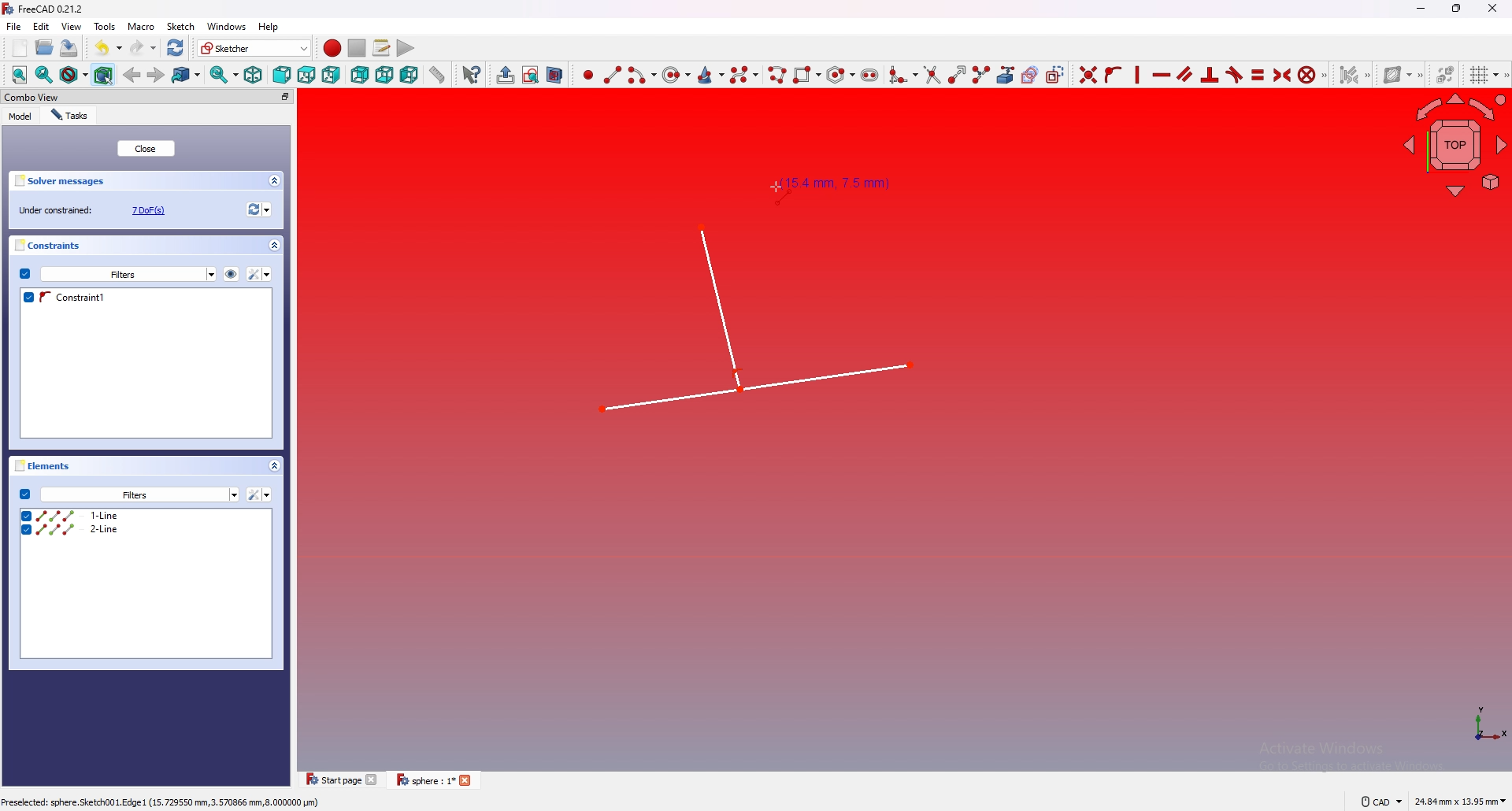  I want to click on Save, so click(69, 48).